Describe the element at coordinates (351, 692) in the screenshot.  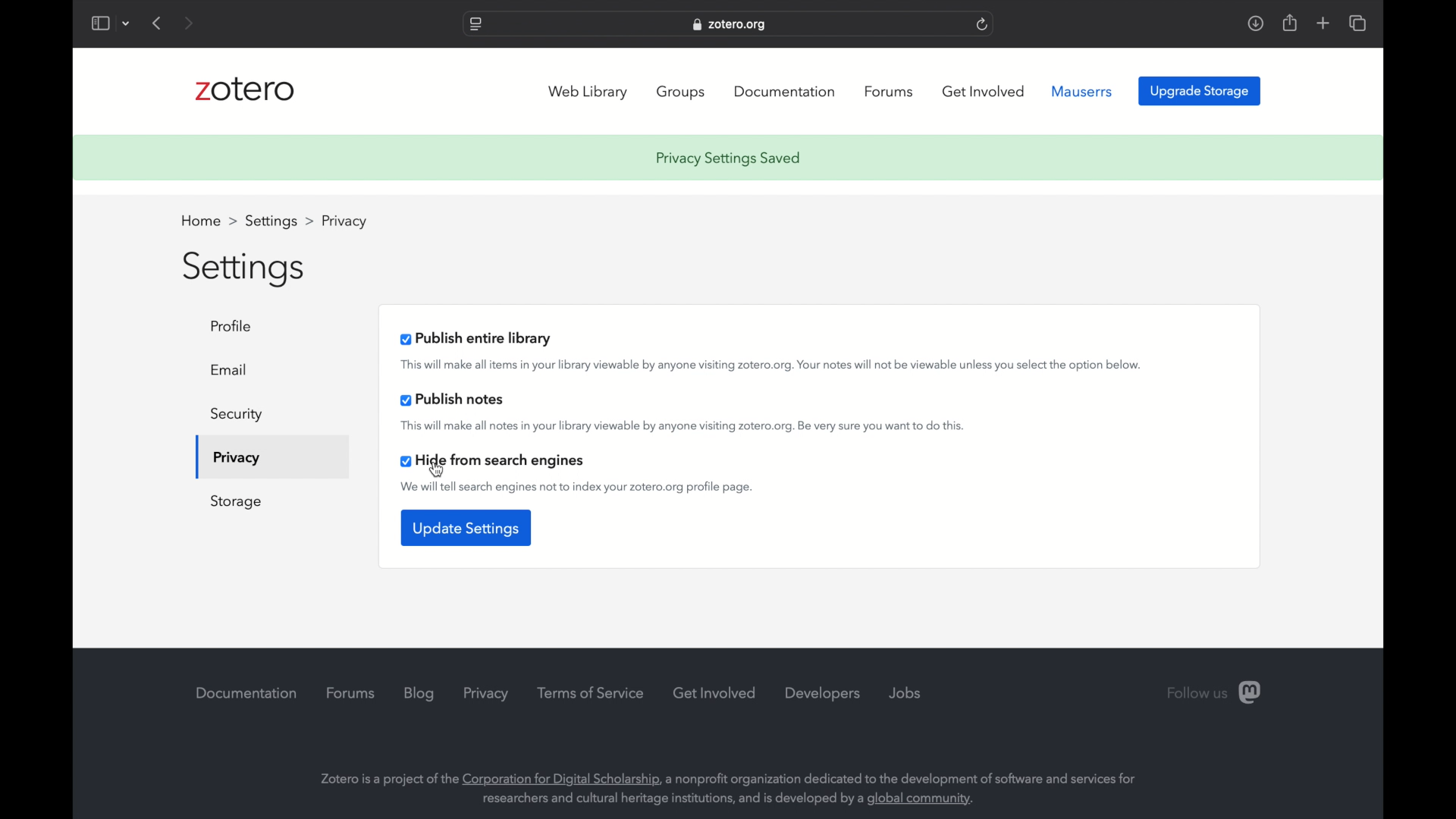
I see `forums` at that location.